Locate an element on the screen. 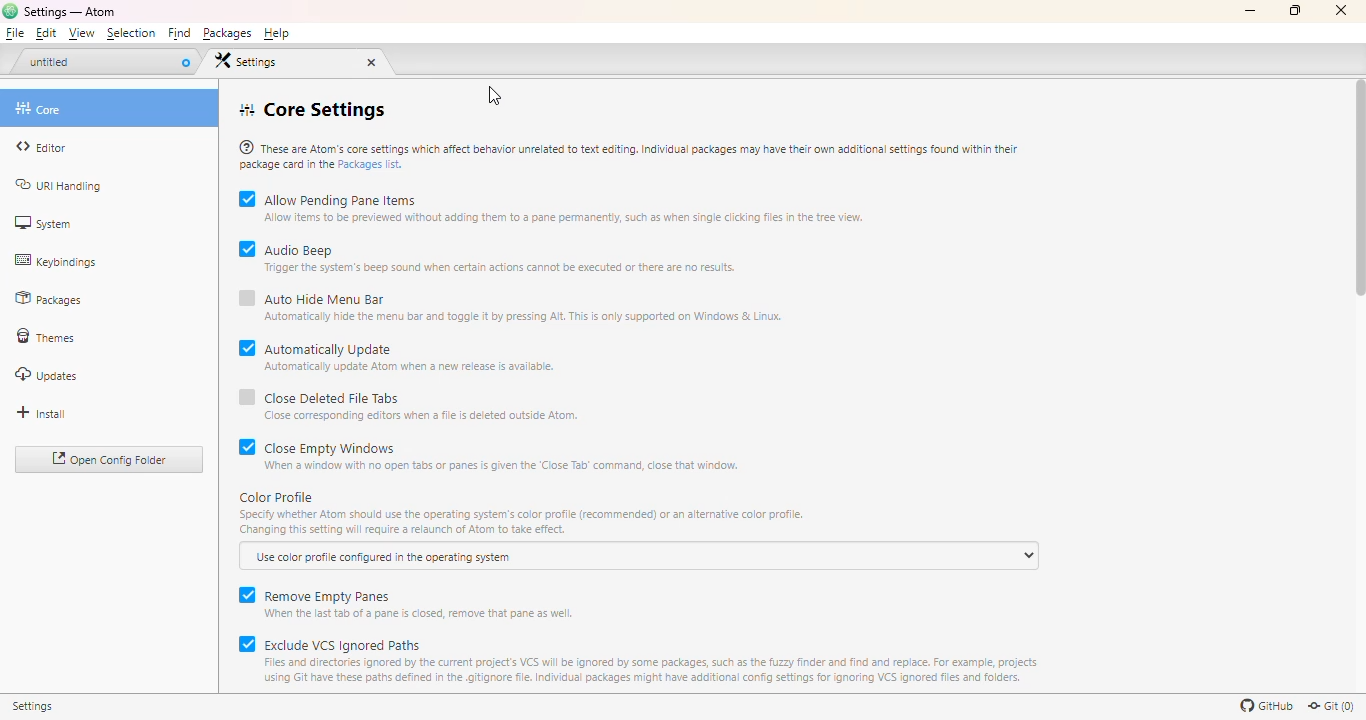 The image size is (1366, 720). Git(0) is located at coordinates (1330, 706).